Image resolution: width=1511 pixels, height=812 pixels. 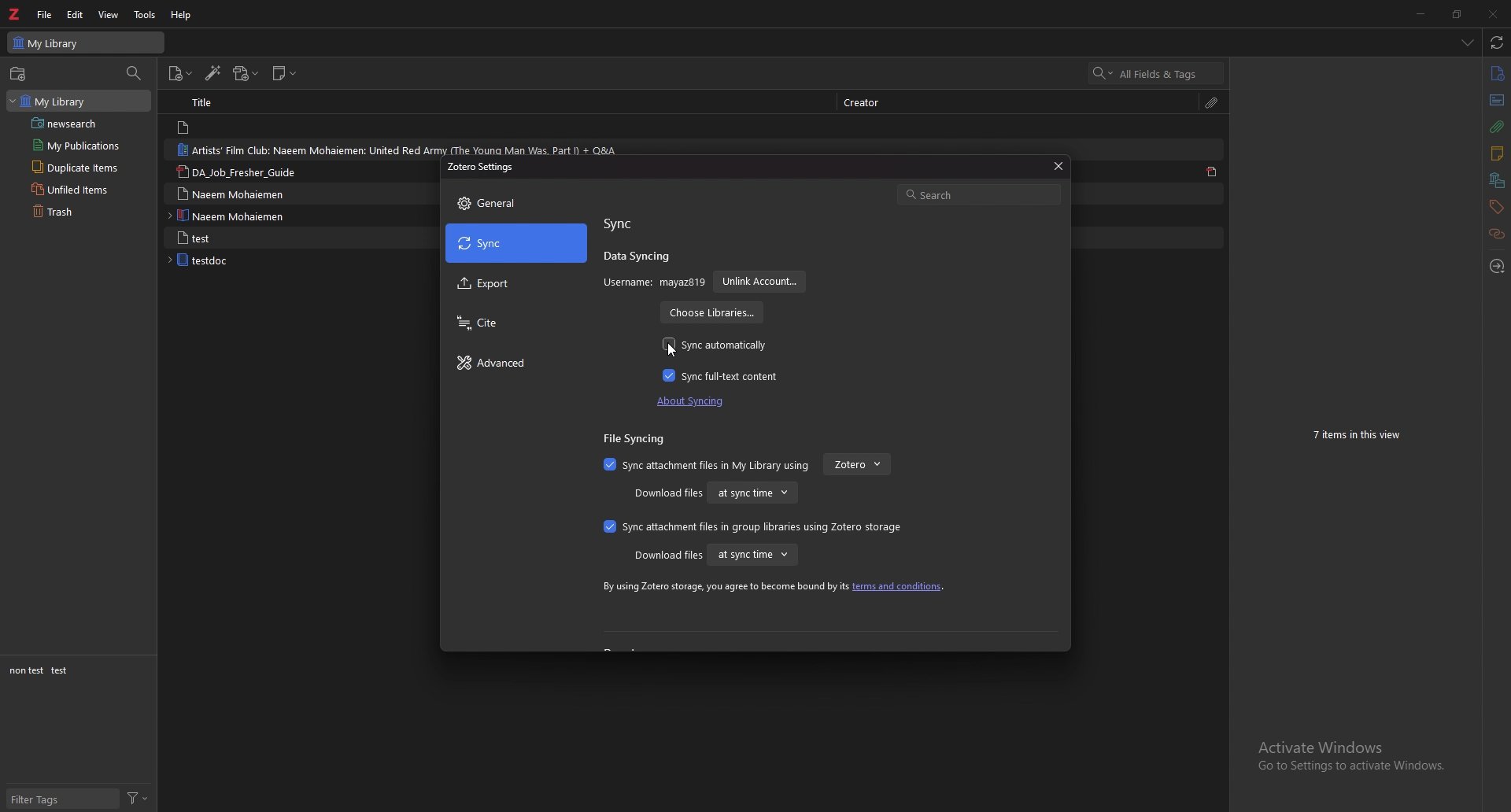 What do you see at coordinates (639, 439) in the screenshot?
I see `file syncing` at bounding box center [639, 439].